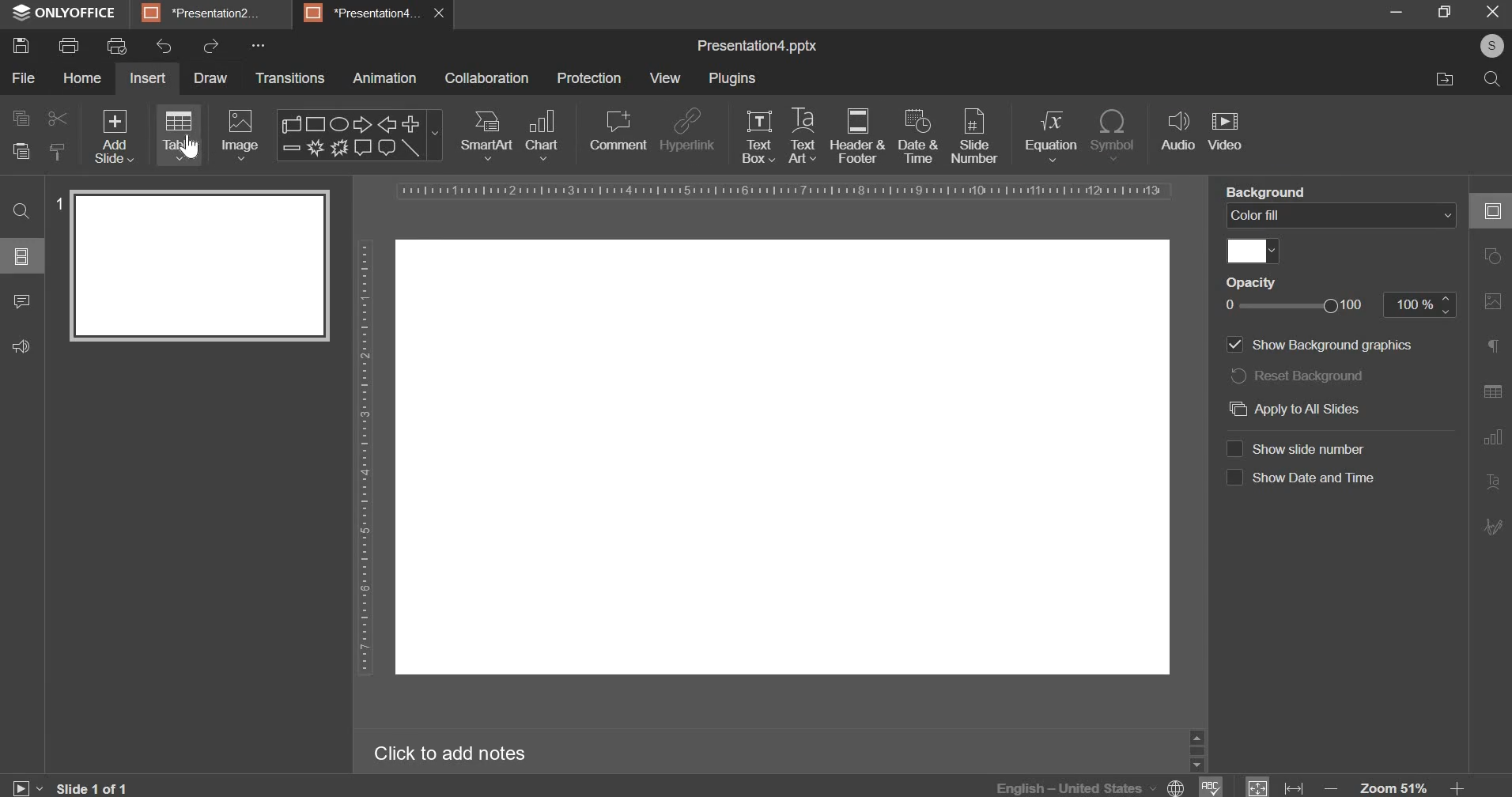 The width and height of the screenshot is (1512, 797). I want to click on onlyoffice, so click(66, 11).